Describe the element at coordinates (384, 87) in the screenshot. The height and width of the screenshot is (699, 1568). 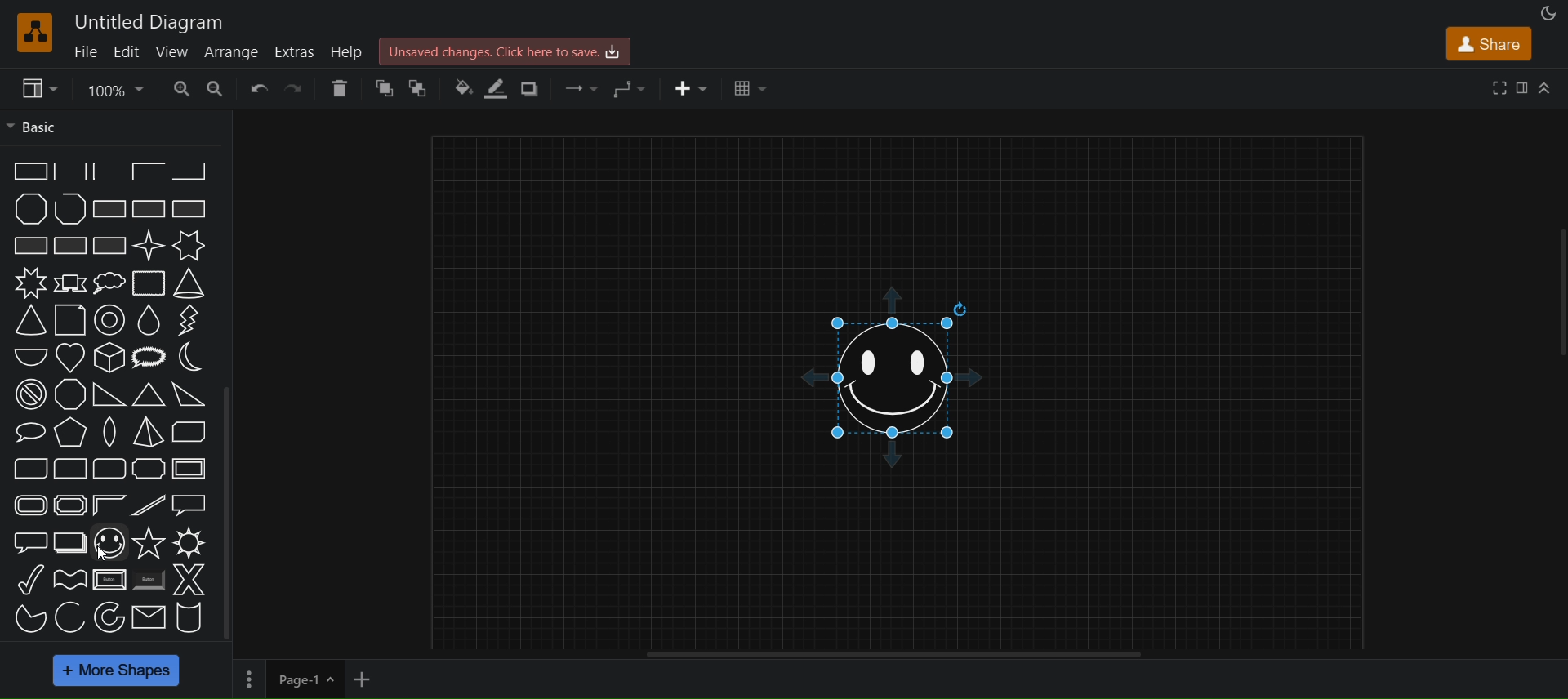
I see `to front` at that location.